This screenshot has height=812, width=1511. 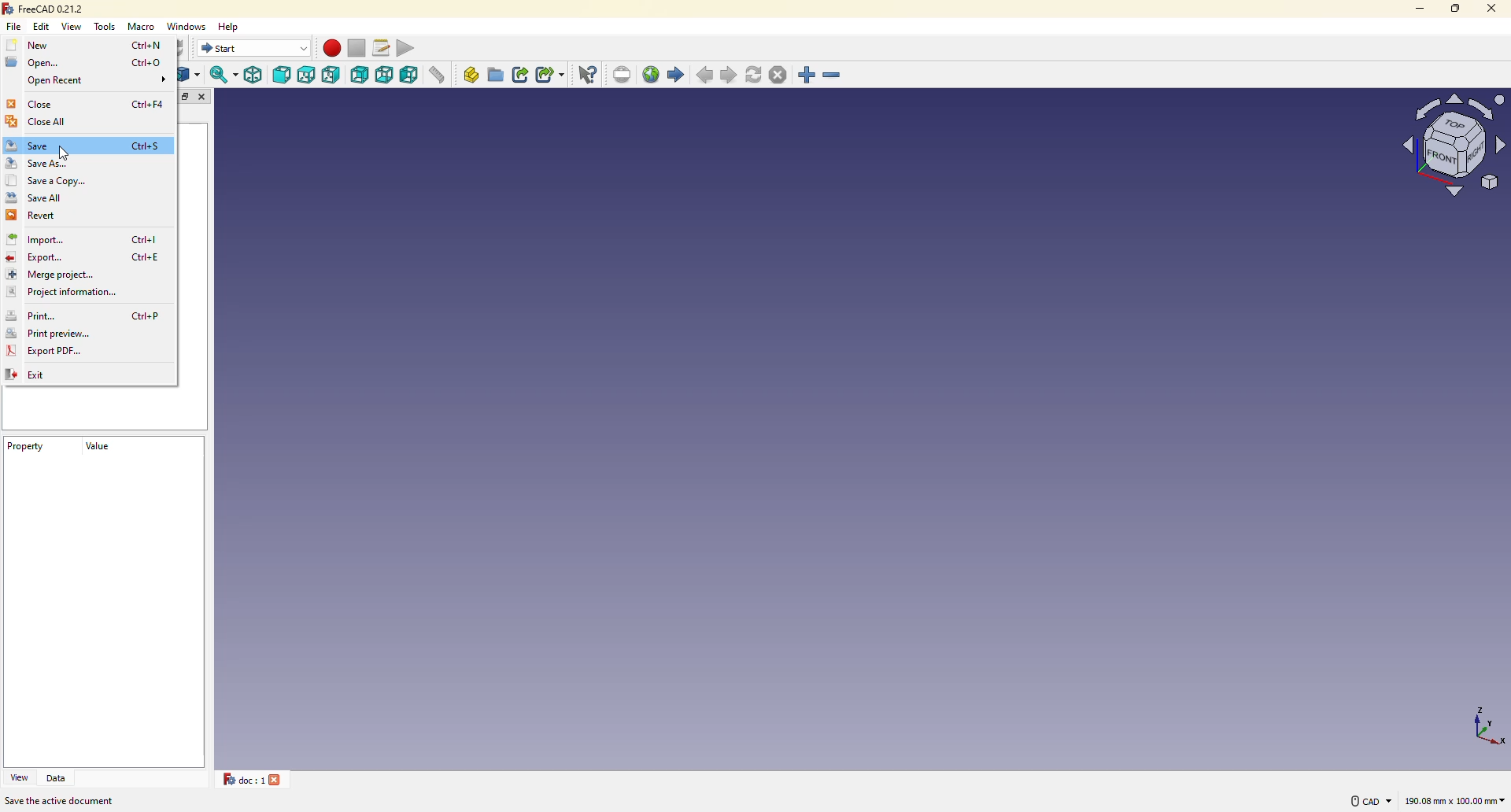 I want to click on open, so click(x=31, y=61).